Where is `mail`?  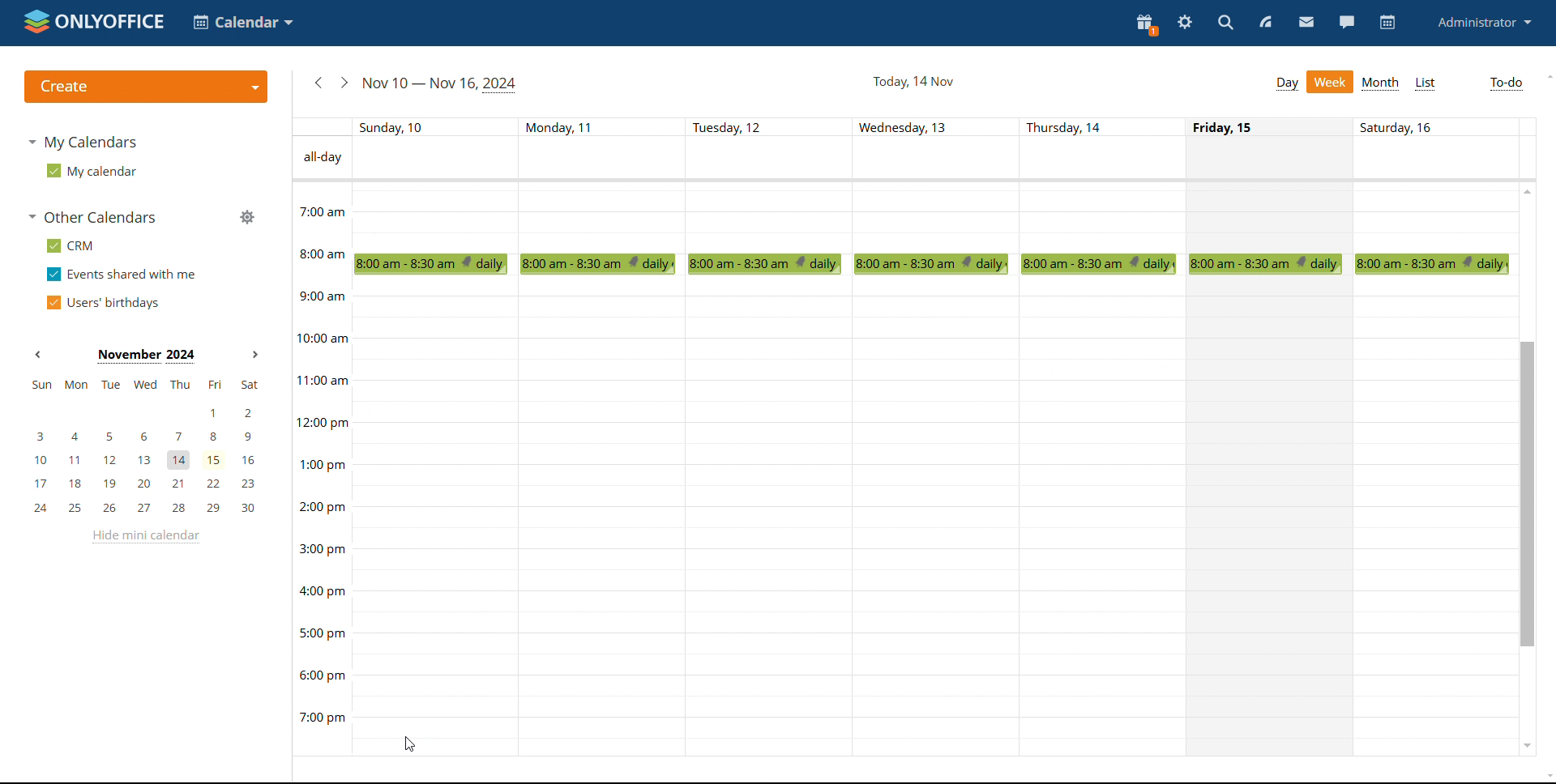
mail is located at coordinates (1307, 23).